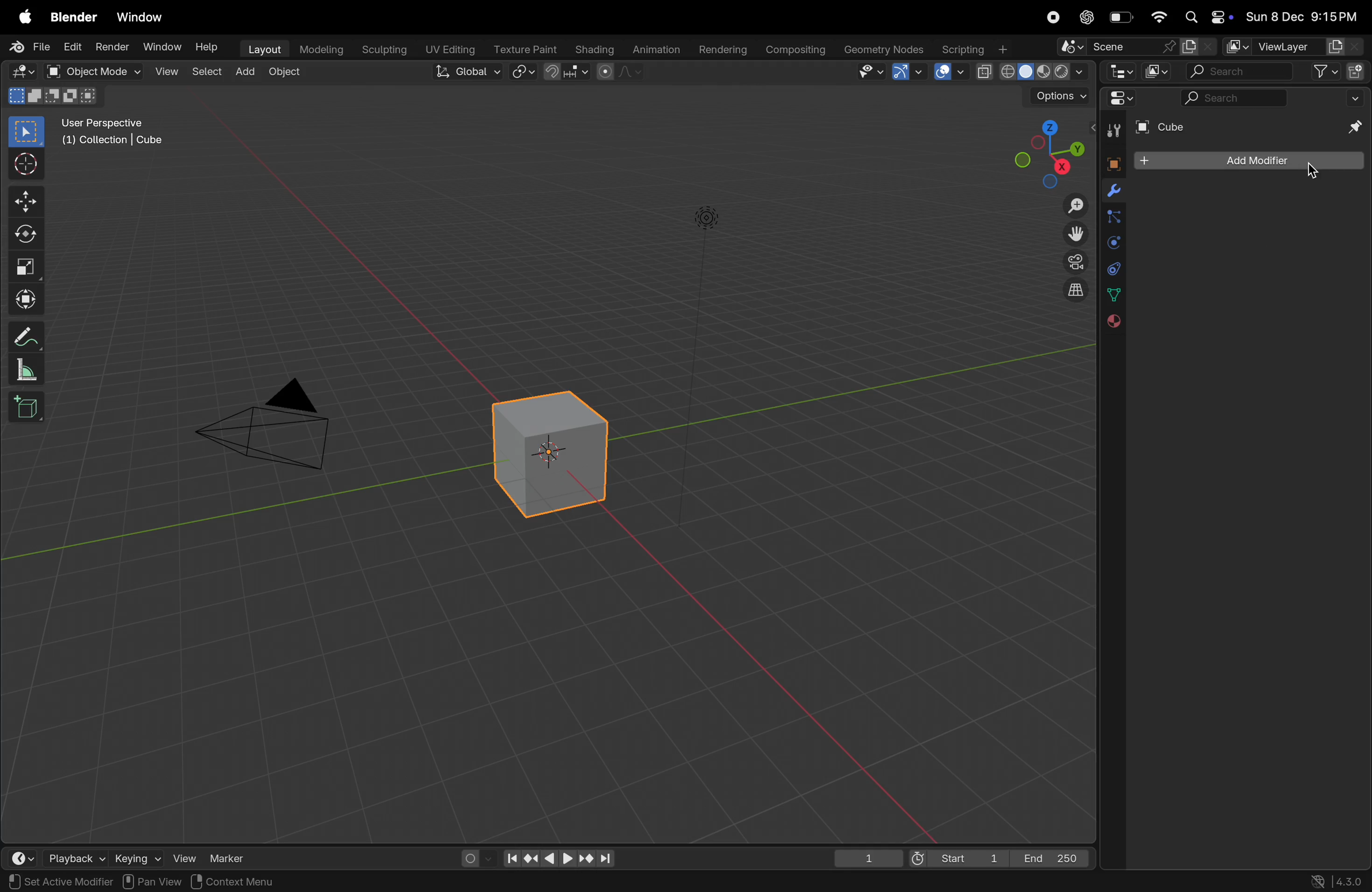 The image size is (1372, 892). I want to click on animations, so click(654, 50).